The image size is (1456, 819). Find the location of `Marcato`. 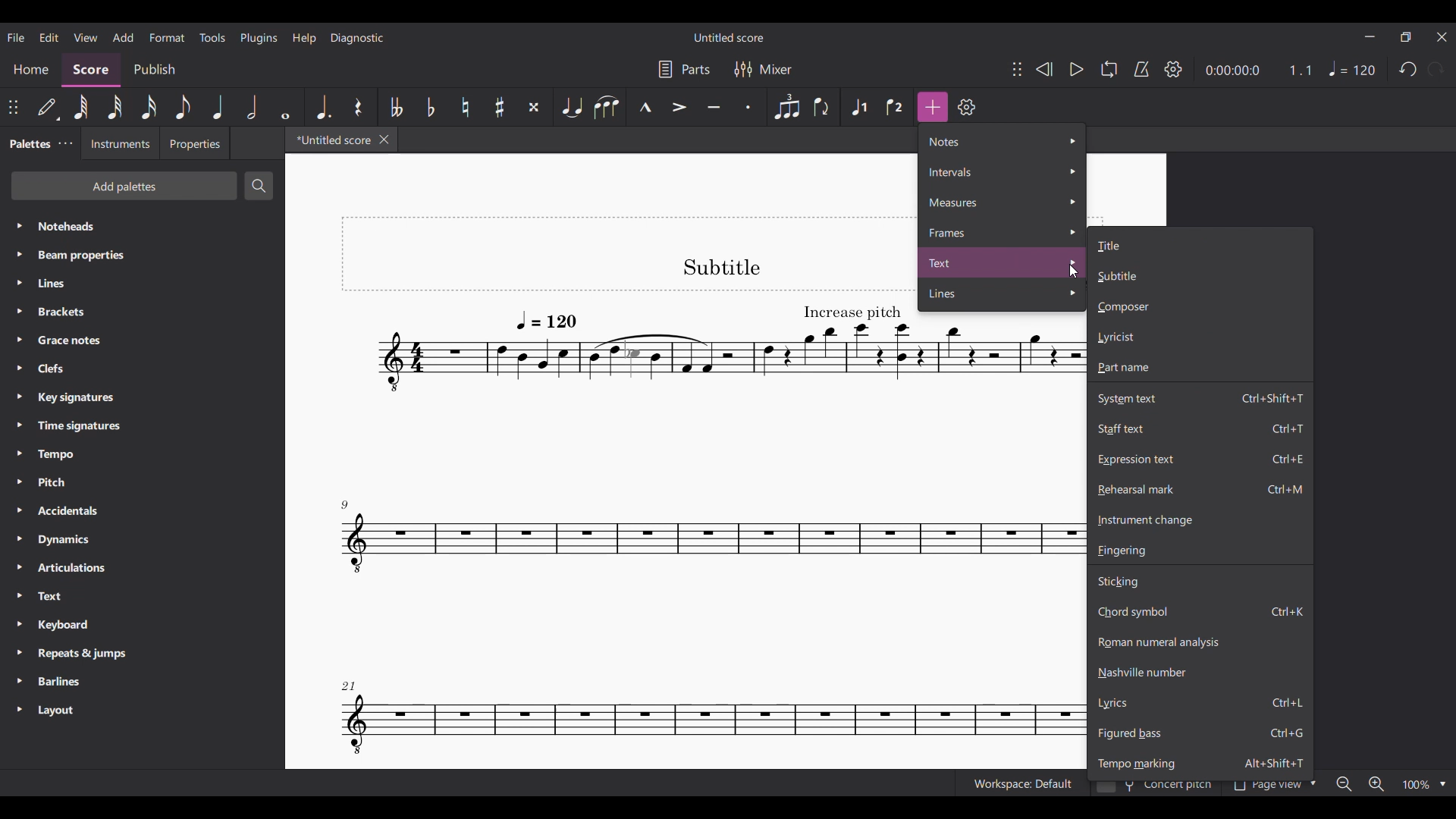

Marcato is located at coordinates (645, 107).